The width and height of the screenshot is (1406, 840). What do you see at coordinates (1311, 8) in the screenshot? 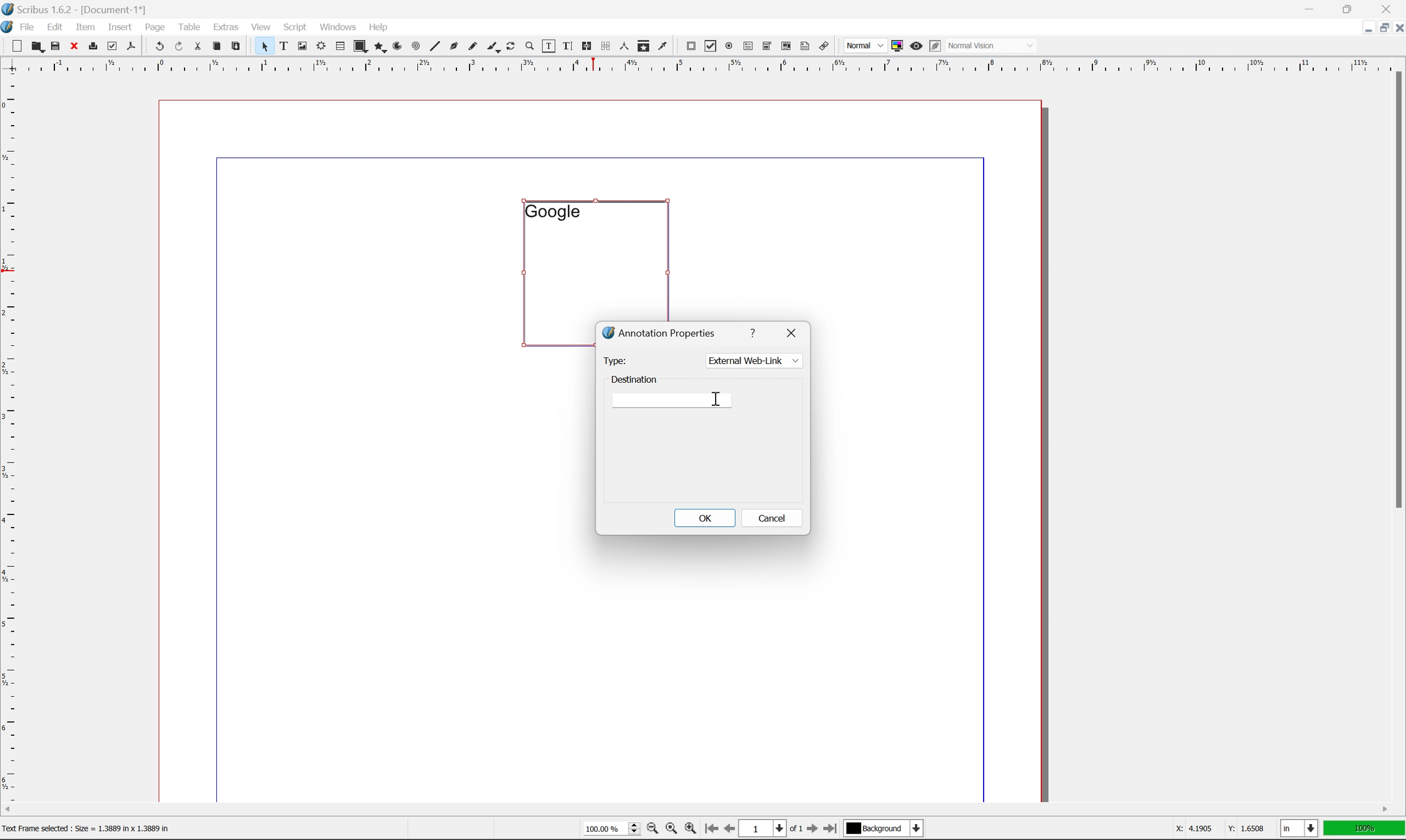
I see `minimize` at bounding box center [1311, 8].